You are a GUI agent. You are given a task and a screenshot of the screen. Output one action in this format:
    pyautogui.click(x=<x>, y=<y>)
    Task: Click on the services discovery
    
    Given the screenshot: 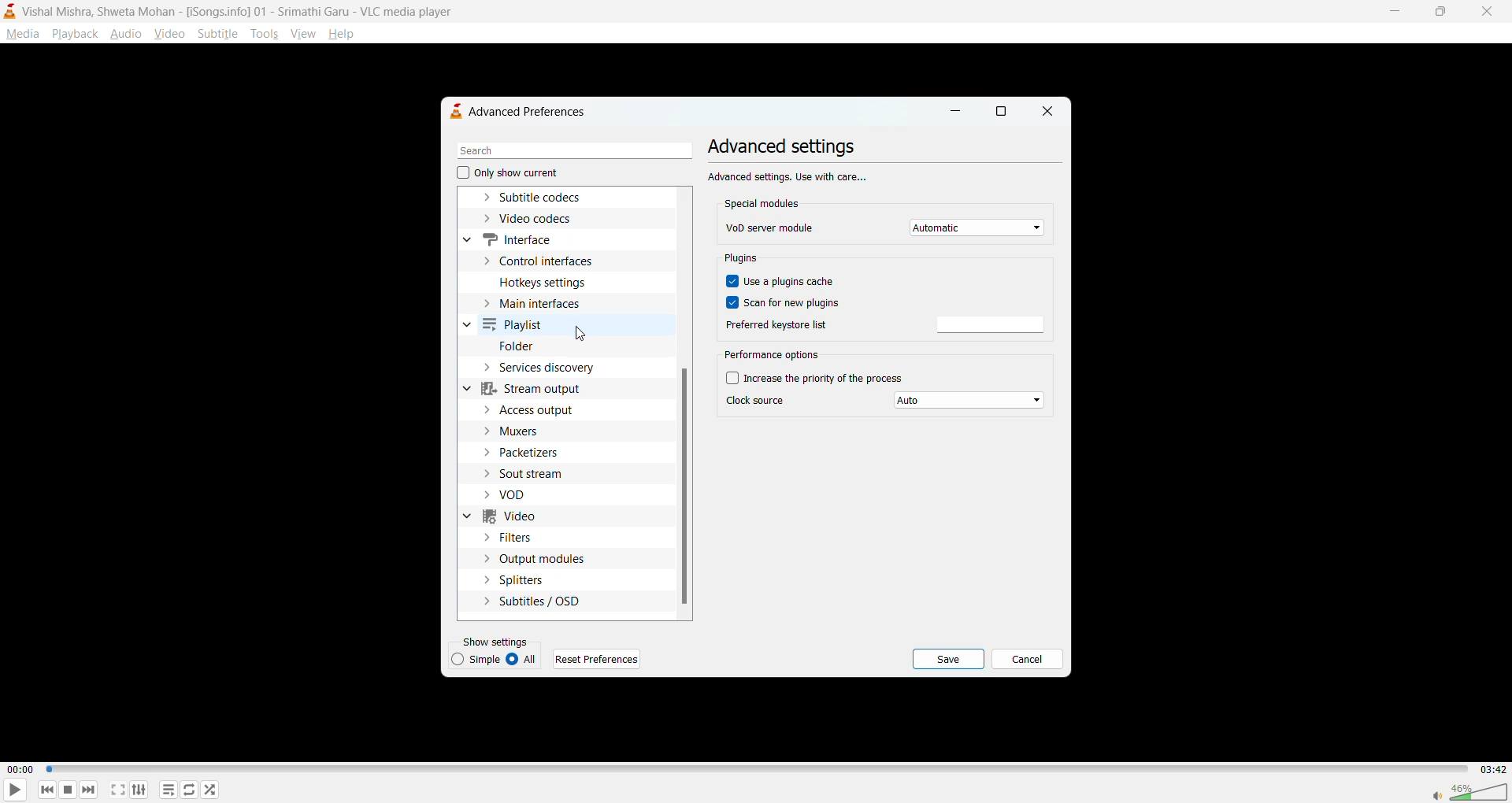 What is the action you would take?
    pyautogui.click(x=550, y=368)
    